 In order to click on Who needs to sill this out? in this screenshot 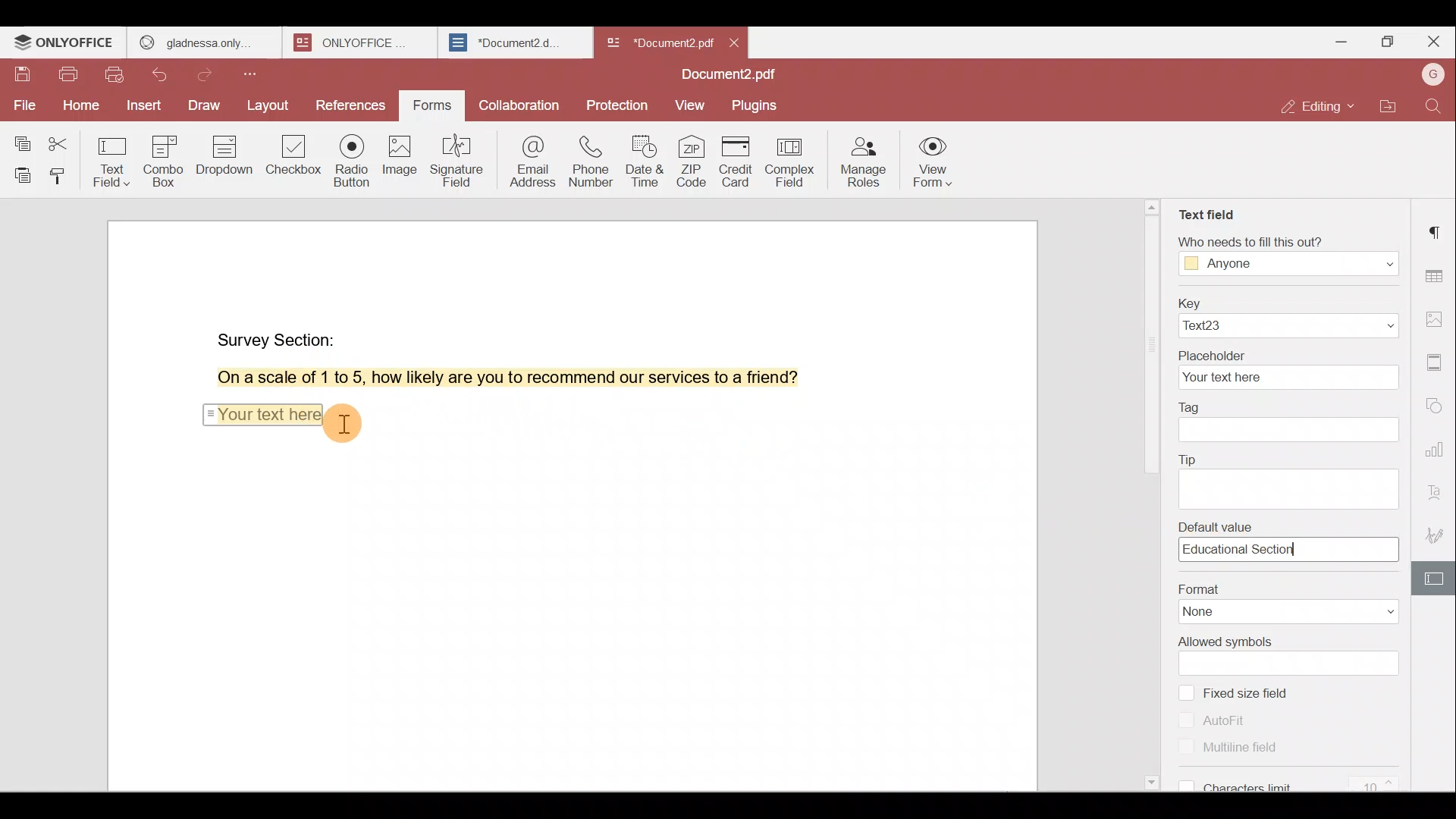, I will do `click(1288, 255)`.